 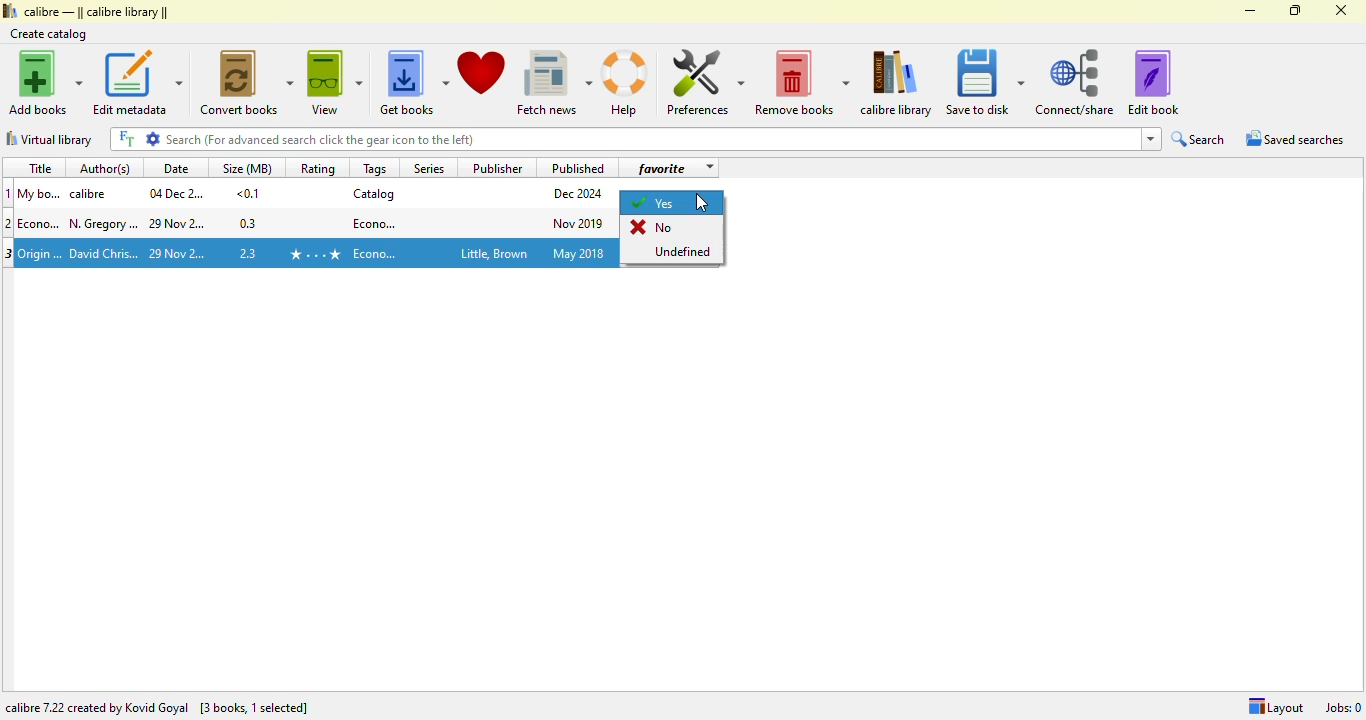 I want to click on calibre 7.22 created by Kovid Goyal, so click(x=97, y=708).